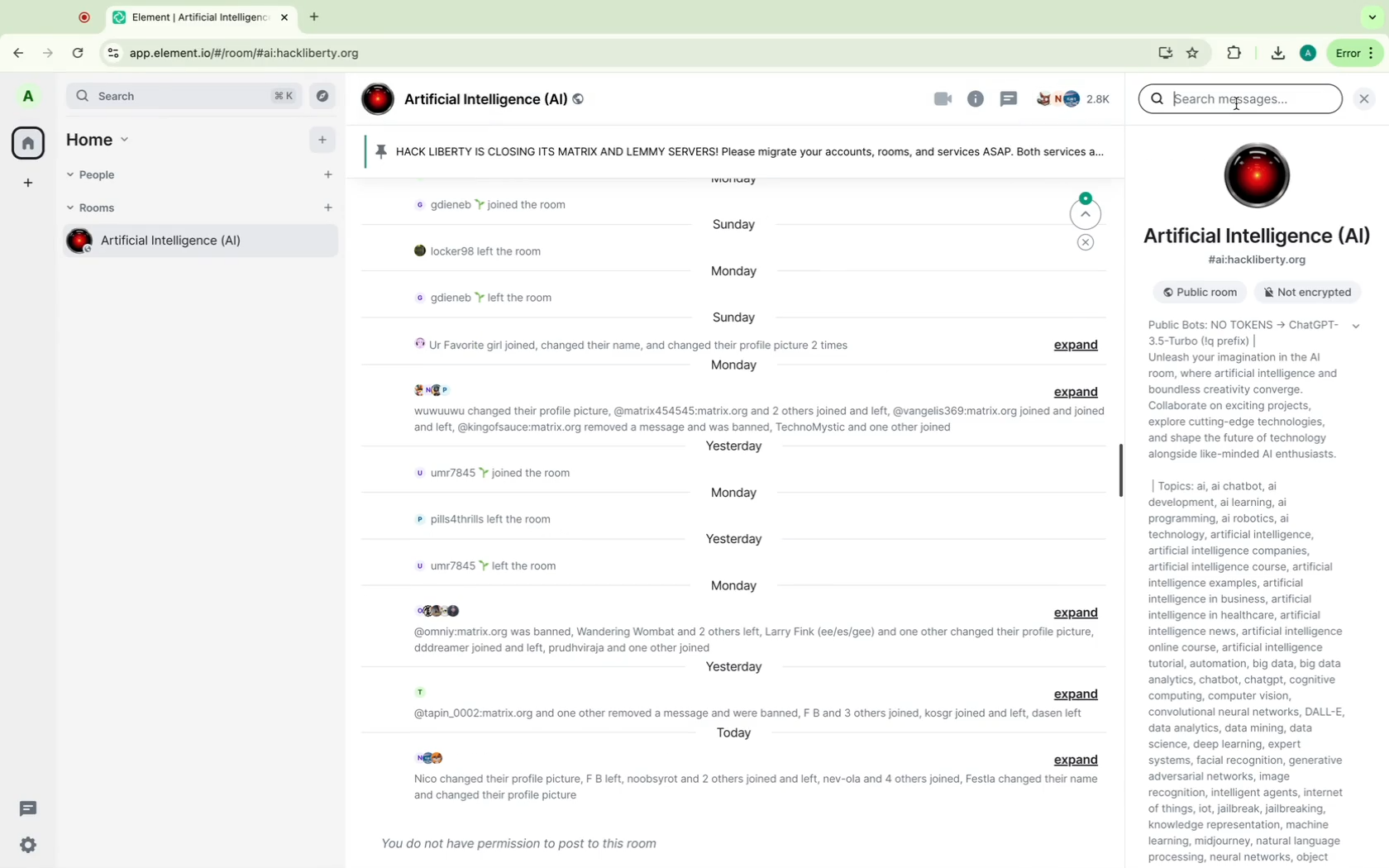 The width and height of the screenshot is (1389, 868). I want to click on expand, so click(1078, 393).